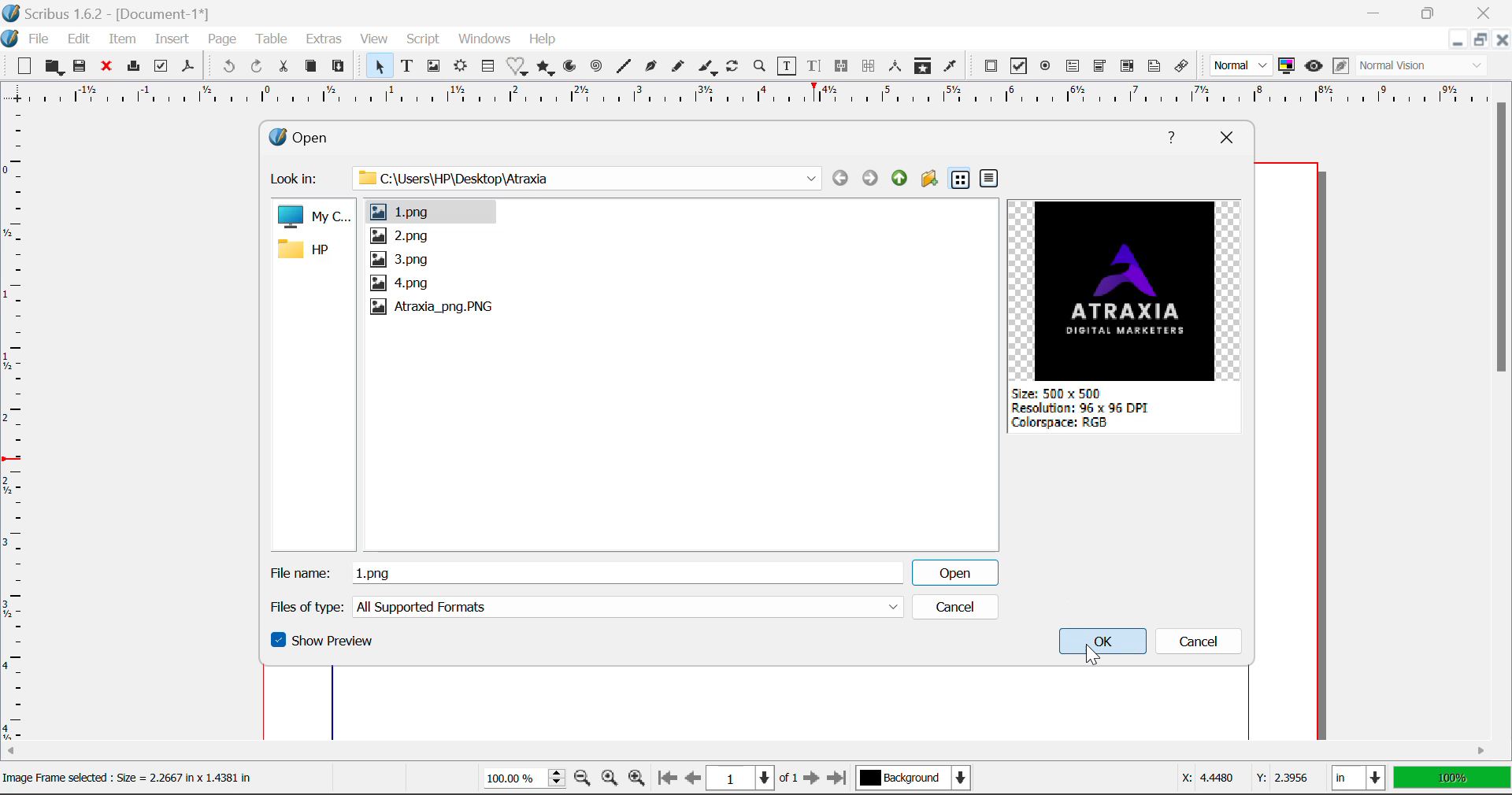 This screenshot has width=1512, height=795. I want to click on Cursor on OK, so click(1091, 656).